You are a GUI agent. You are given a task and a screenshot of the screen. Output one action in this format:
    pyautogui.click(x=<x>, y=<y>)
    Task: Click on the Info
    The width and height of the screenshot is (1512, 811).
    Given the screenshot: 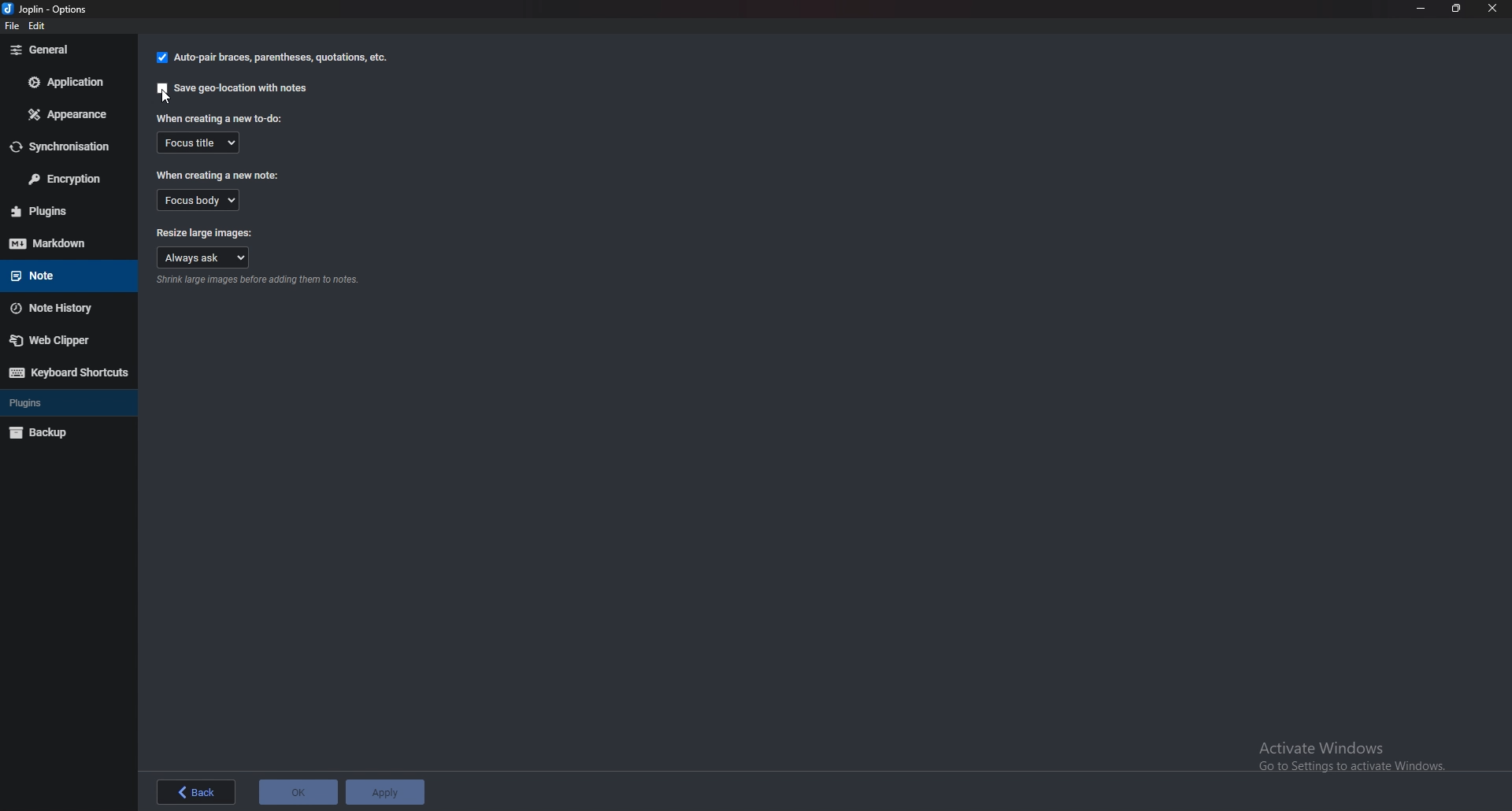 What is the action you would take?
    pyautogui.click(x=259, y=280)
    